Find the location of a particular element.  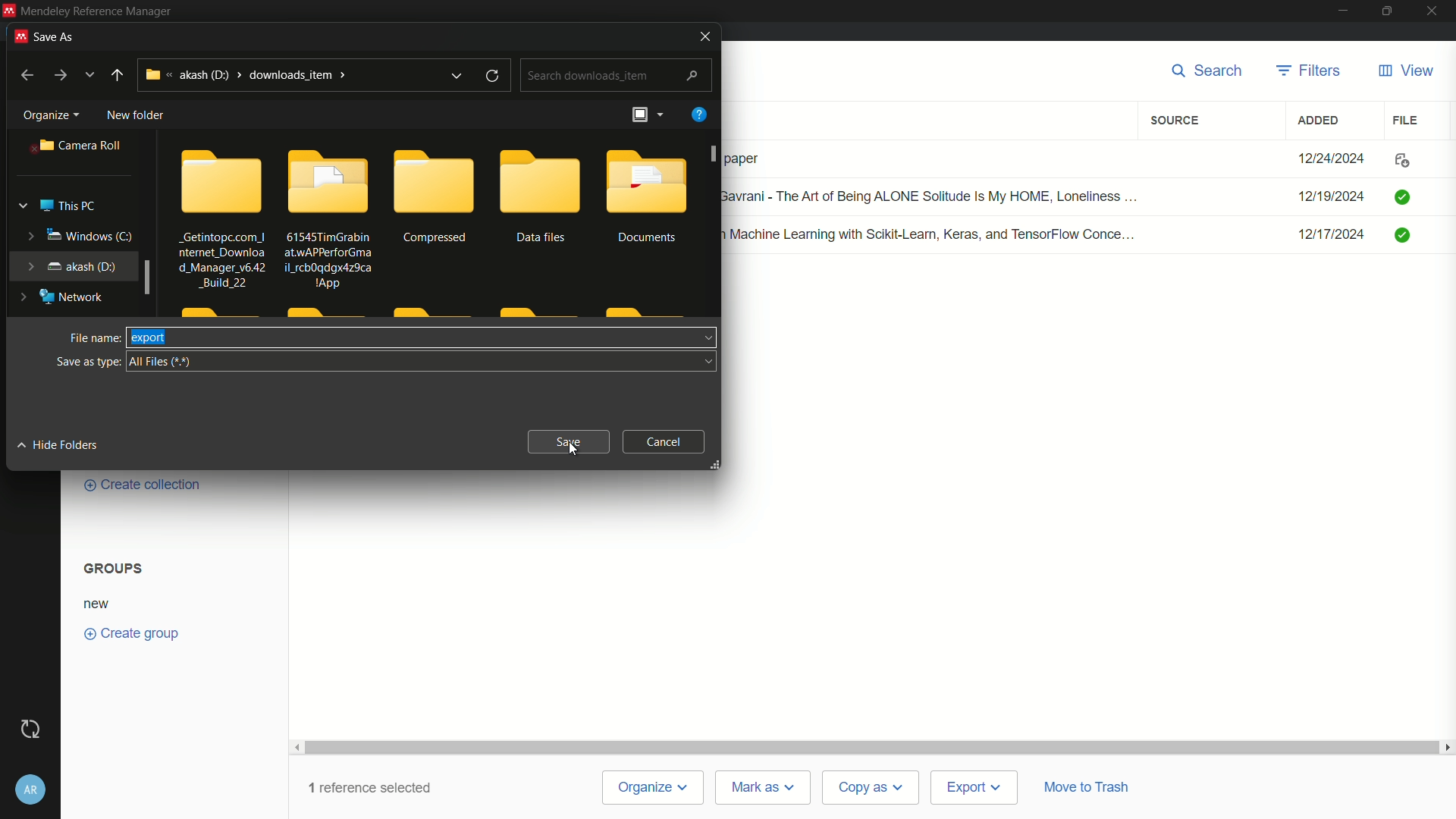

groups is located at coordinates (115, 568).